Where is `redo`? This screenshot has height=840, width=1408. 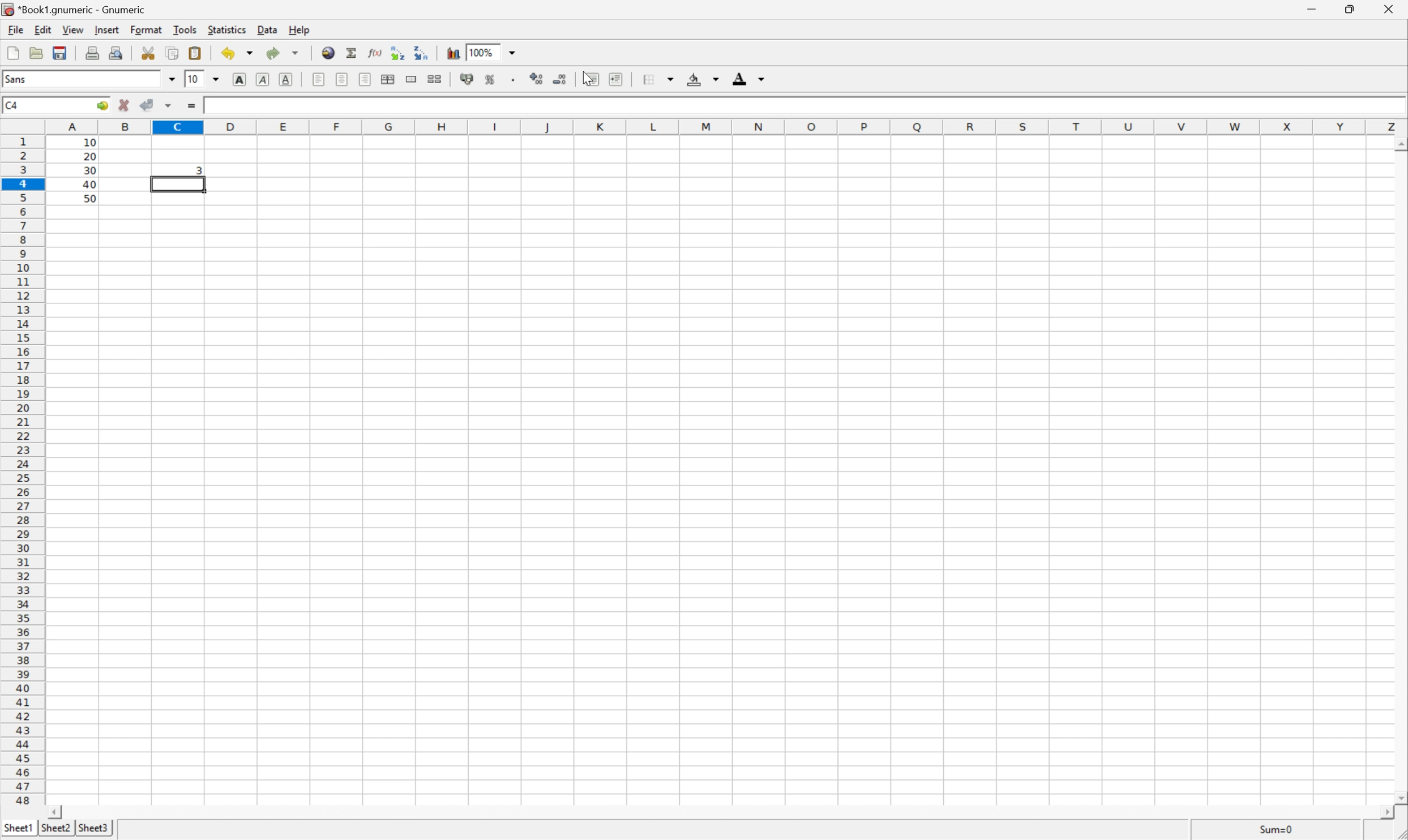 redo is located at coordinates (273, 54).